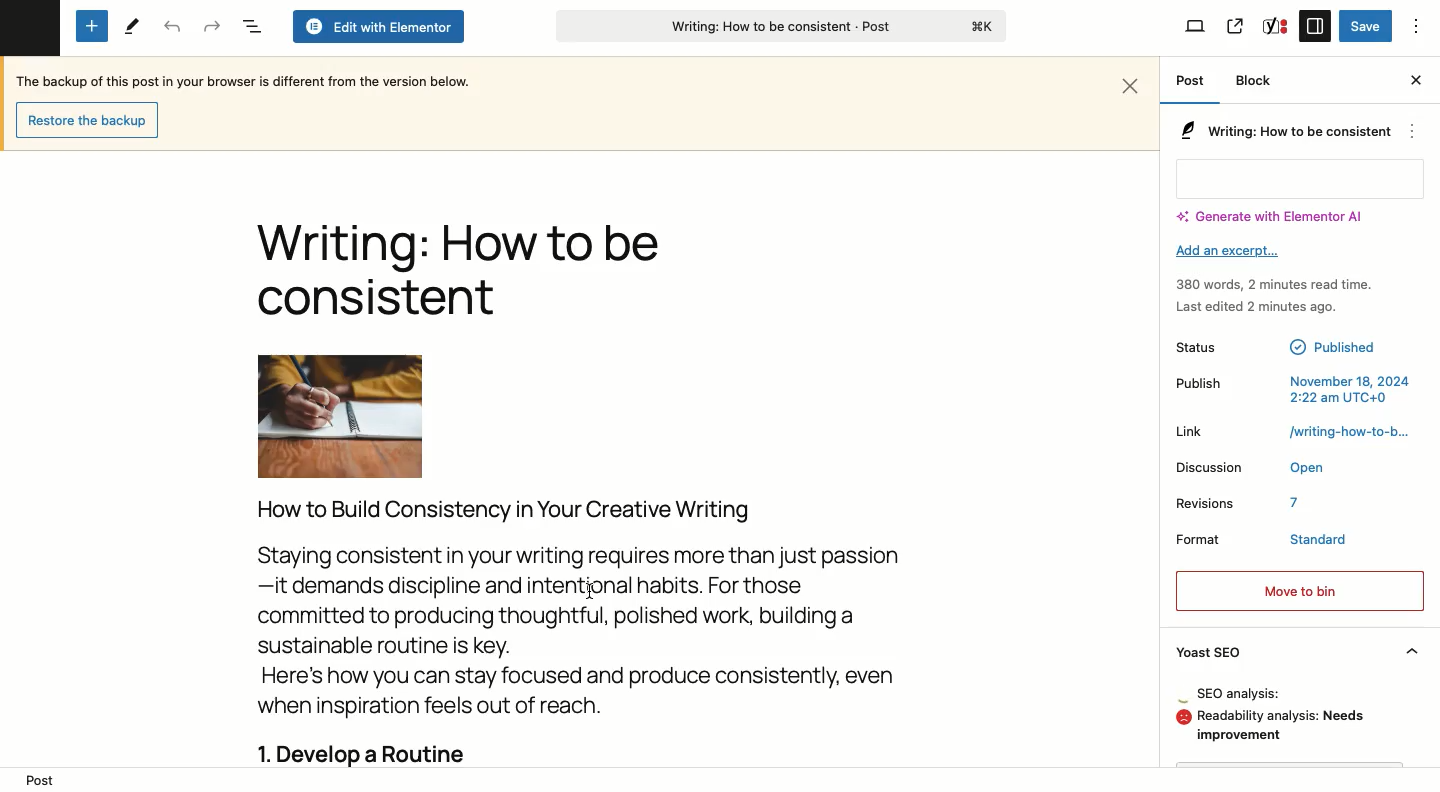 The image size is (1440, 792). What do you see at coordinates (1194, 346) in the screenshot?
I see `Status` at bounding box center [1194, 346].